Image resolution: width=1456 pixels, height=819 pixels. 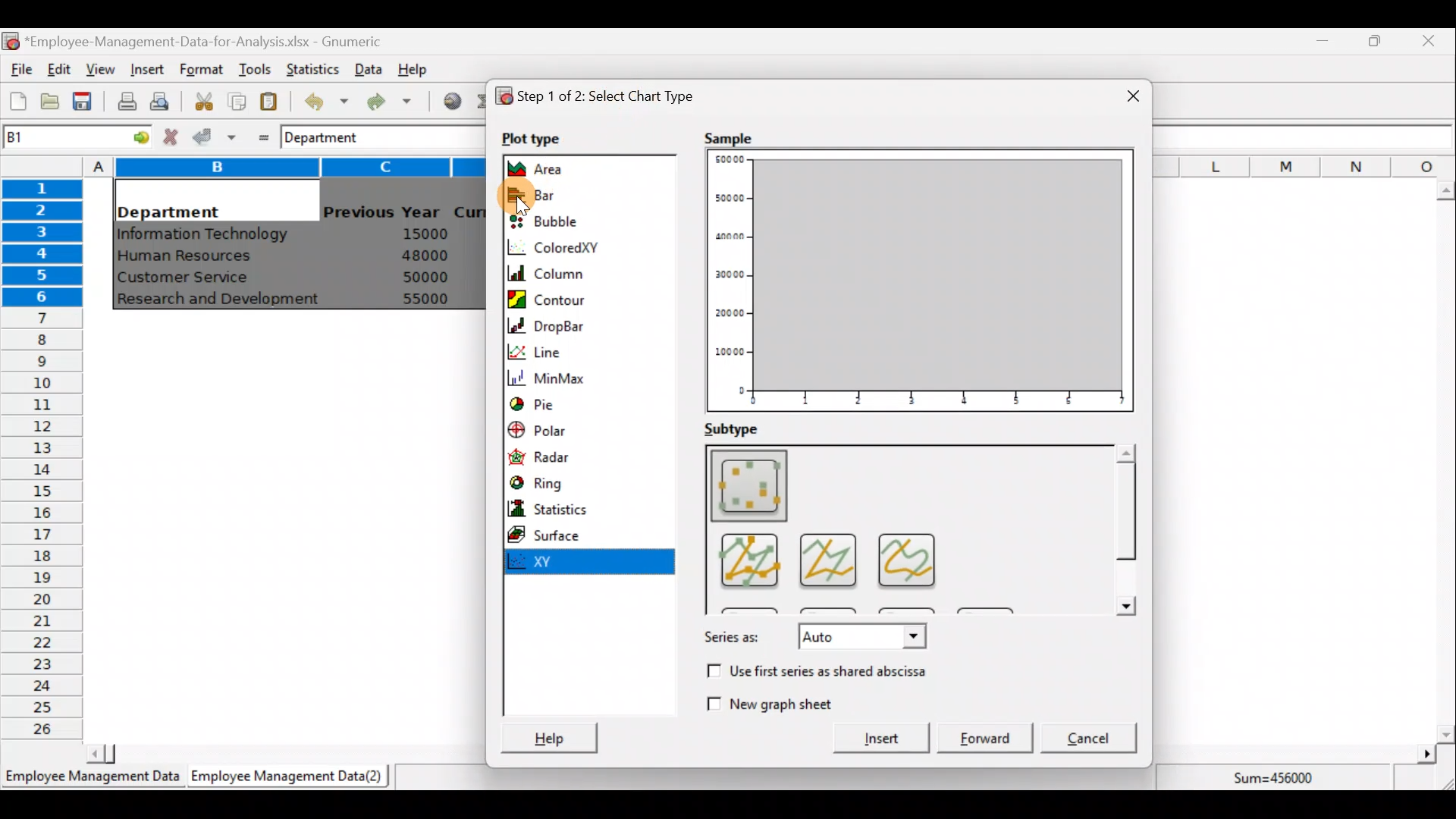 What do you see at coordinates (18, 101) in the screenshot?
I see `Create a new workbook` at bounding box center [18, 101].